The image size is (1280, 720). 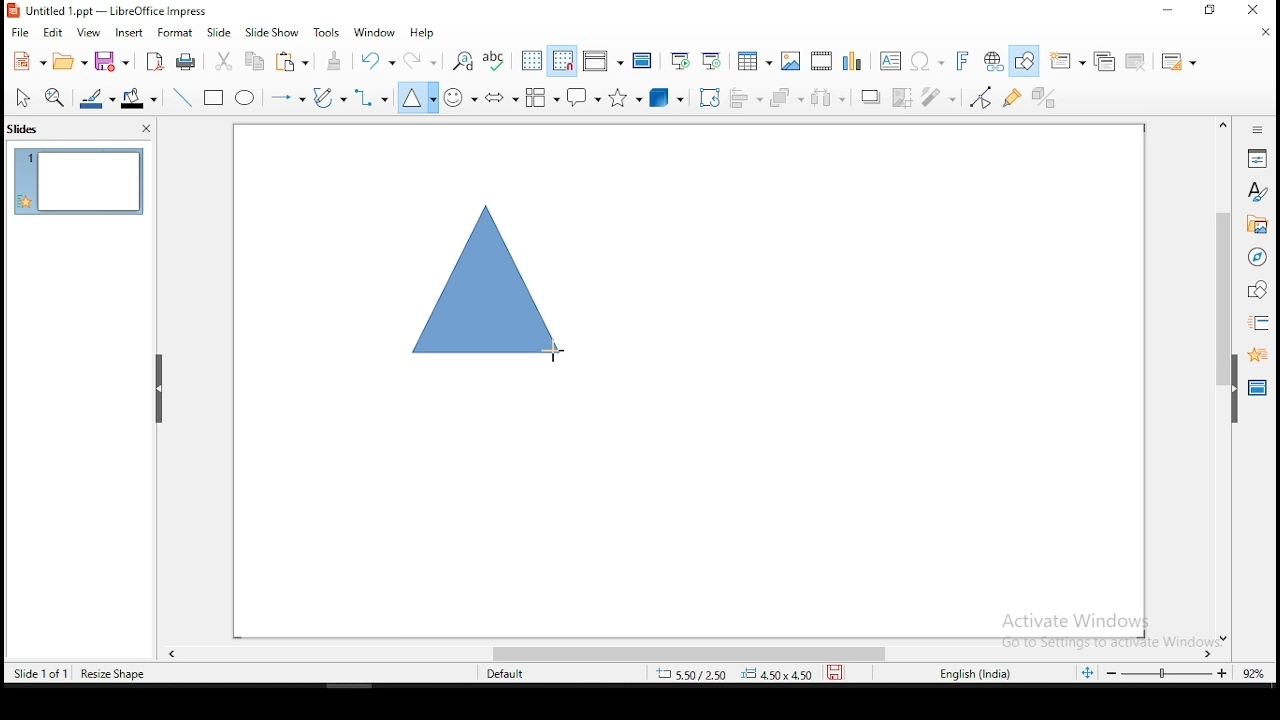 I want to click on edit, so click(x=52, y=33).